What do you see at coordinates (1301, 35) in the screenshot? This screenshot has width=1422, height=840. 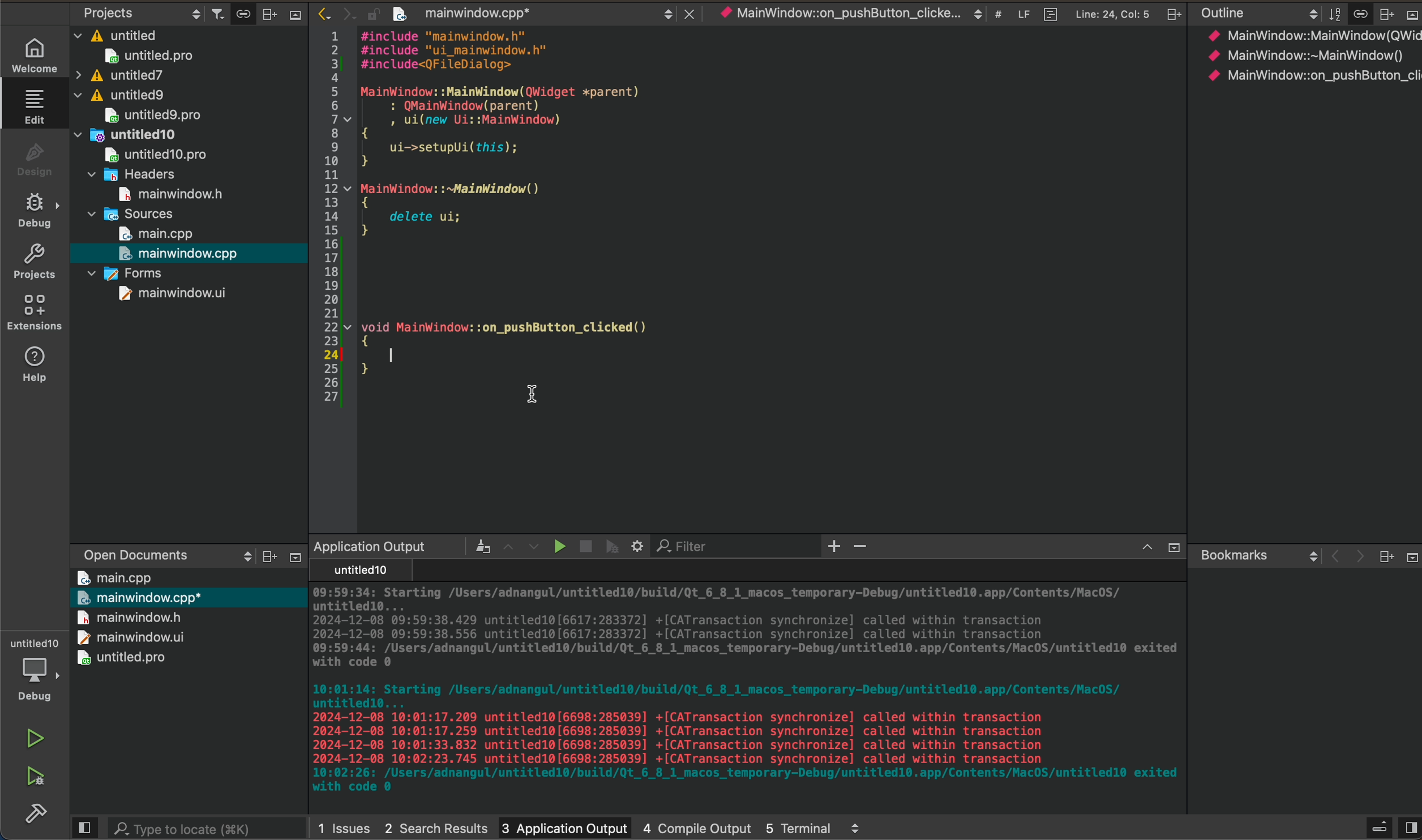 I see `MainWindow::MainWindow (Q` at bounding box center [1301, 35].